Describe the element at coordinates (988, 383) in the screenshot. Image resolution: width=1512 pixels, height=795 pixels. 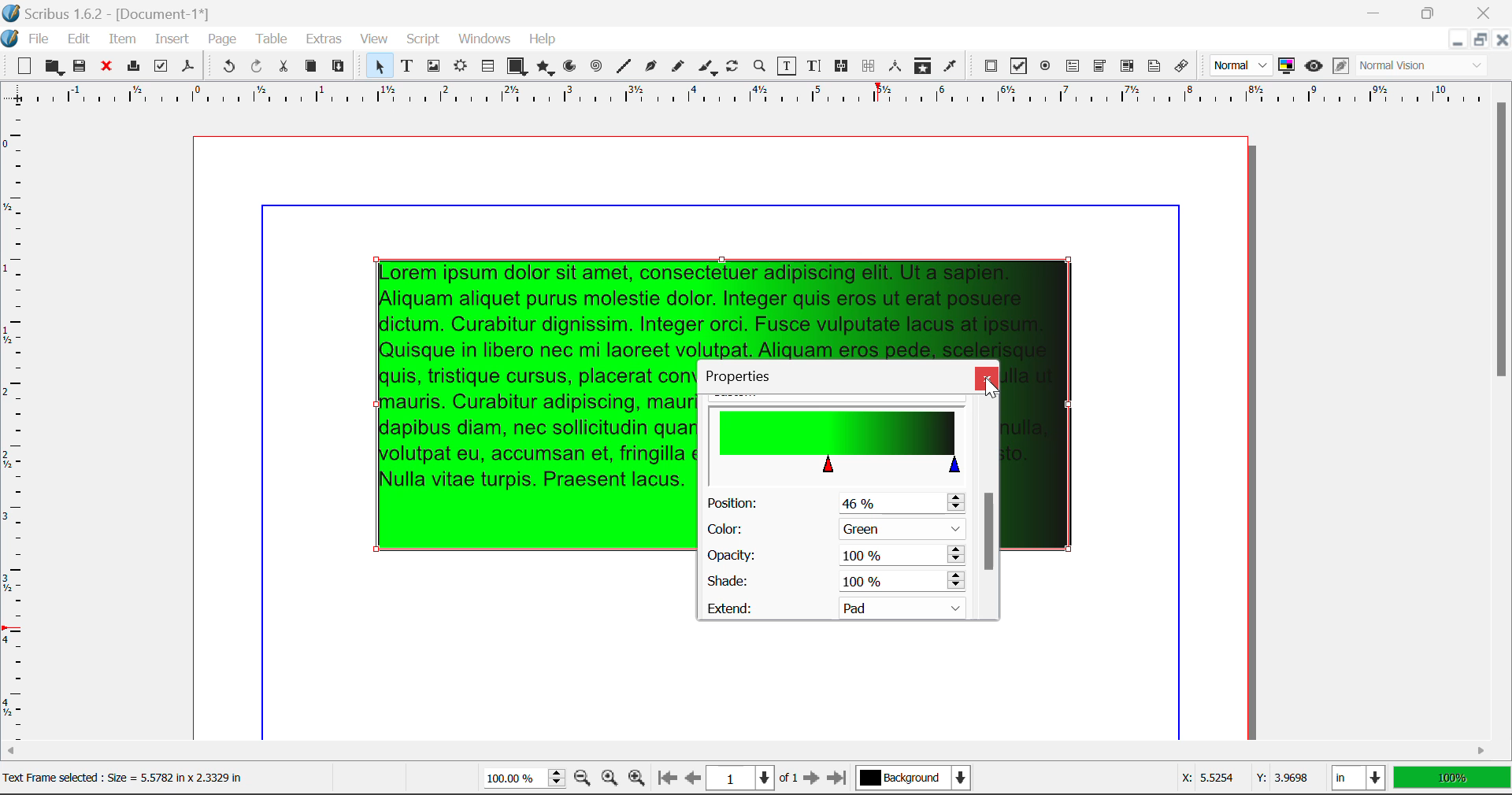
I see `Cursor on Close` at that location.